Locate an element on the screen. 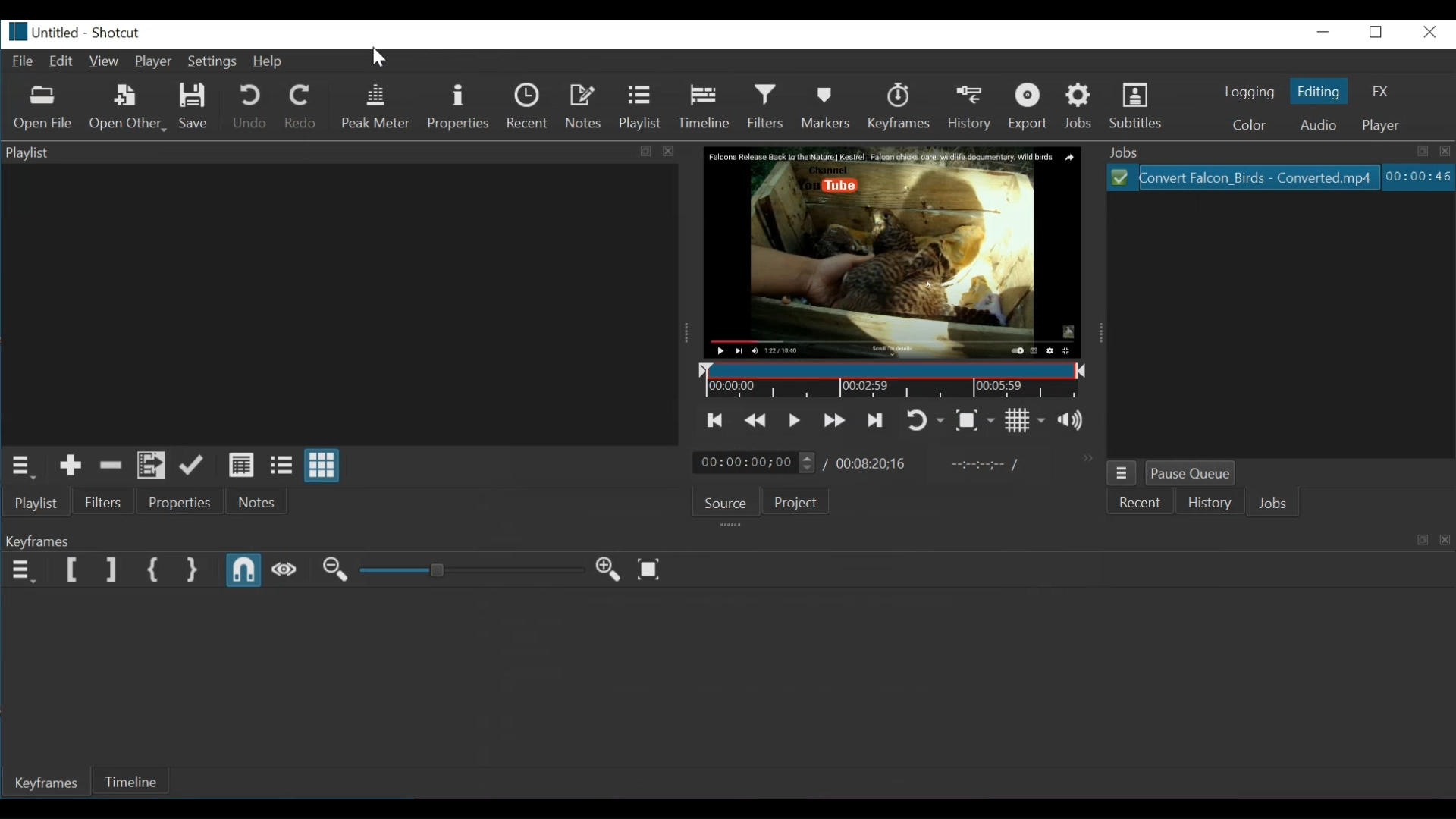 The height and width of the screenshot is (819, 1456). Restore is located at coordinates (1378, 33).